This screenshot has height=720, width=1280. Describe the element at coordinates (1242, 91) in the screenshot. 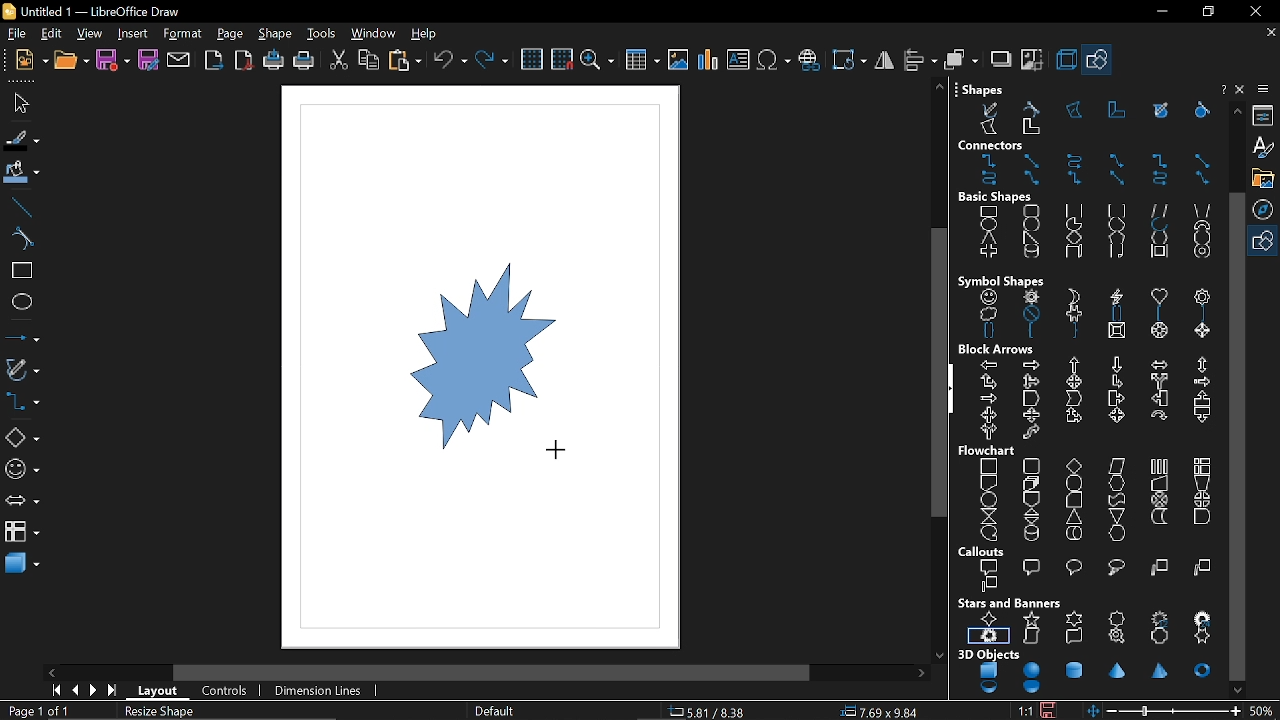

I see `Help` at that location.